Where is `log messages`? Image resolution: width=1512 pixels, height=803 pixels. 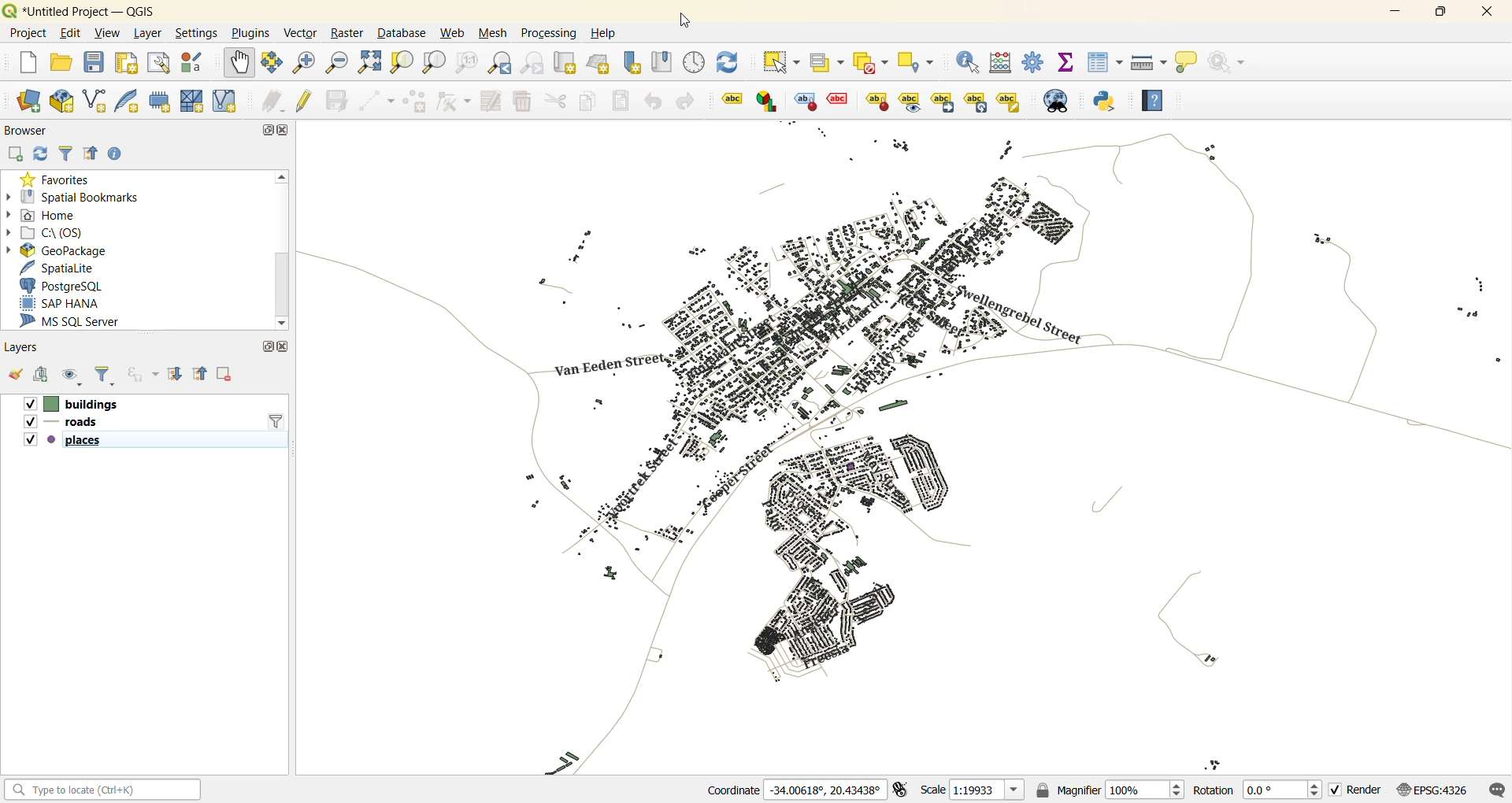
log messages is located at coordinates (1495, 789).